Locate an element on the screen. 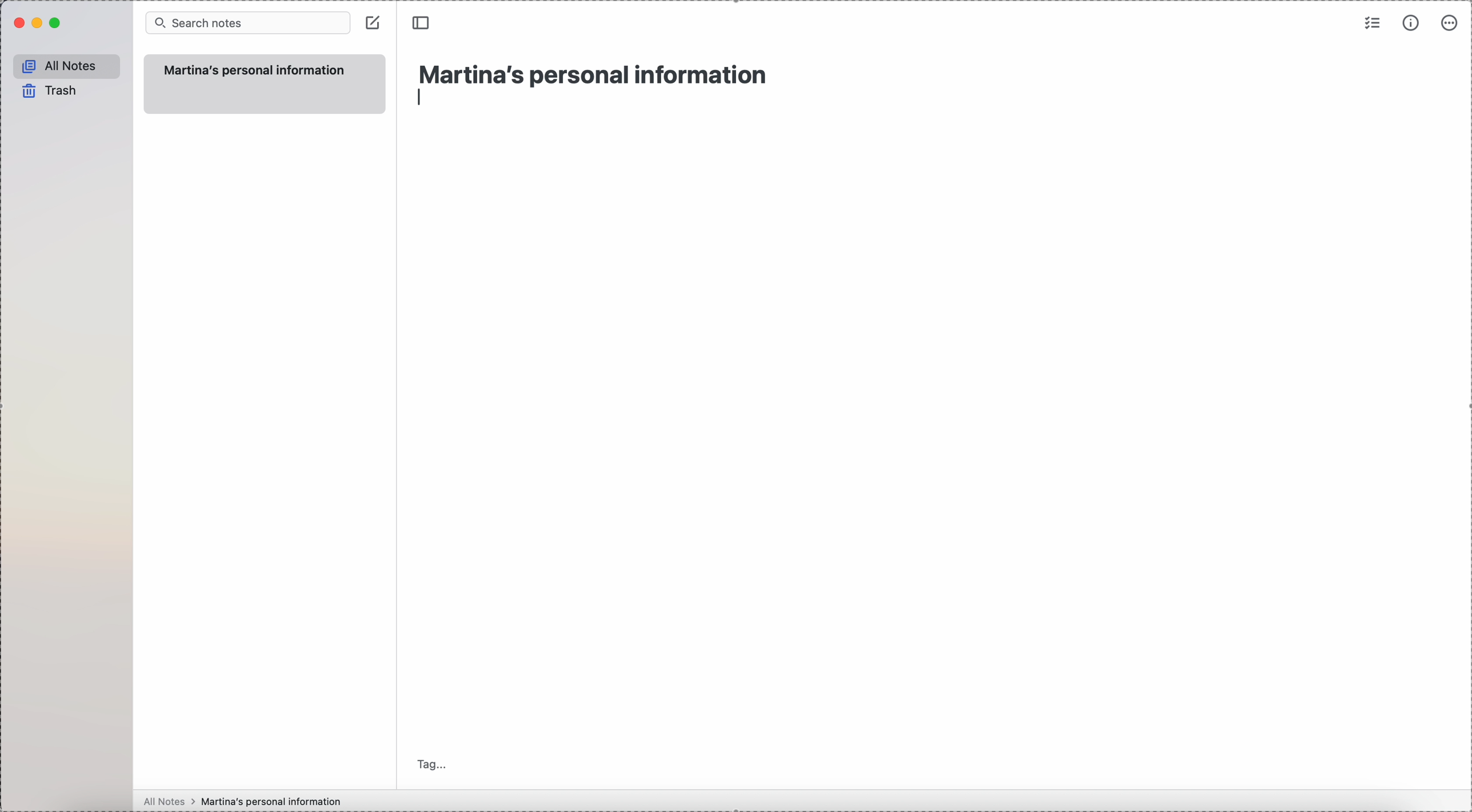  all notes is located at coordinates (66, 66).